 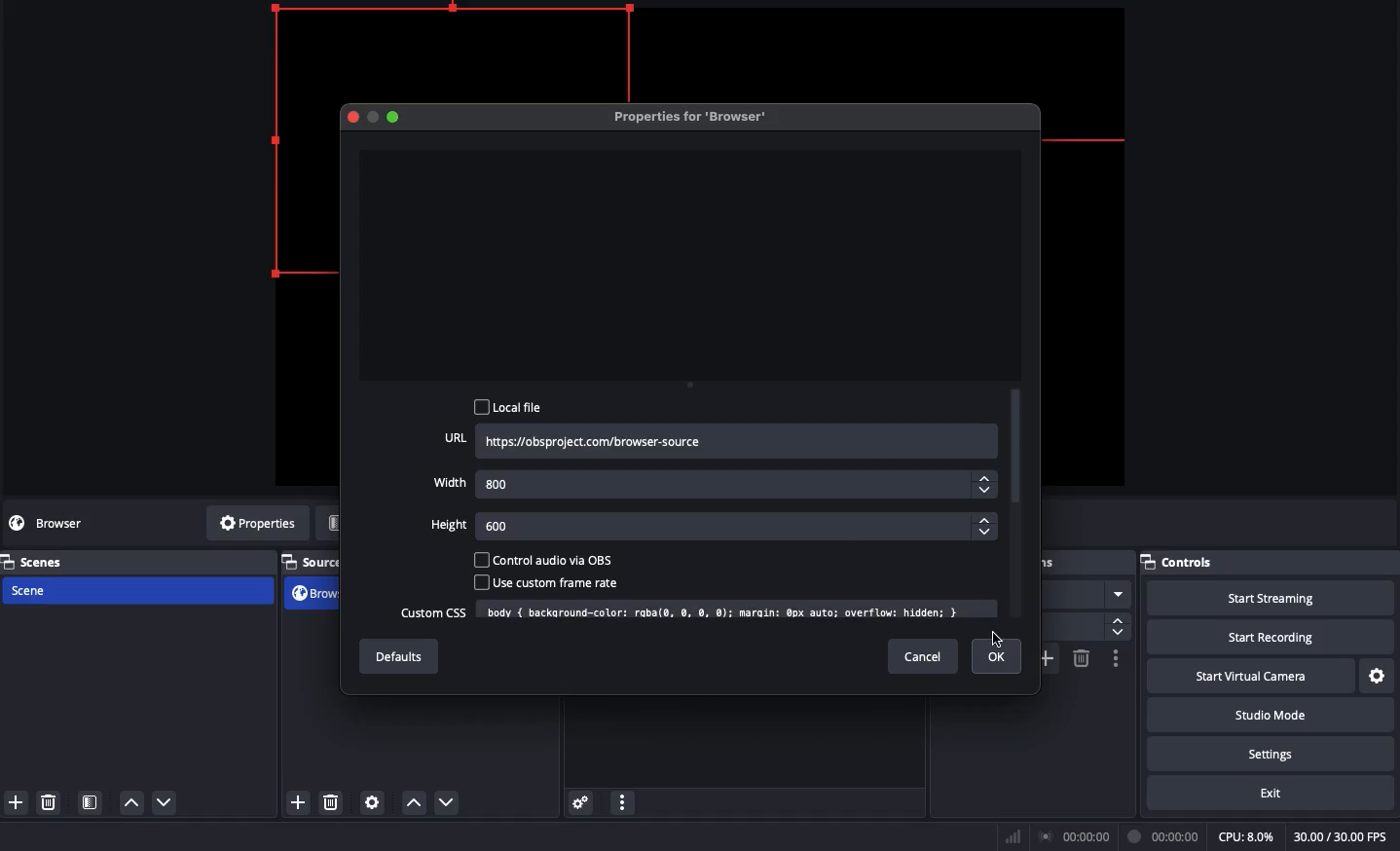 What do you see at coordinates (1269, 713) in the screenshot?
I see `Studio mode` at bounding box center [1269, 713].